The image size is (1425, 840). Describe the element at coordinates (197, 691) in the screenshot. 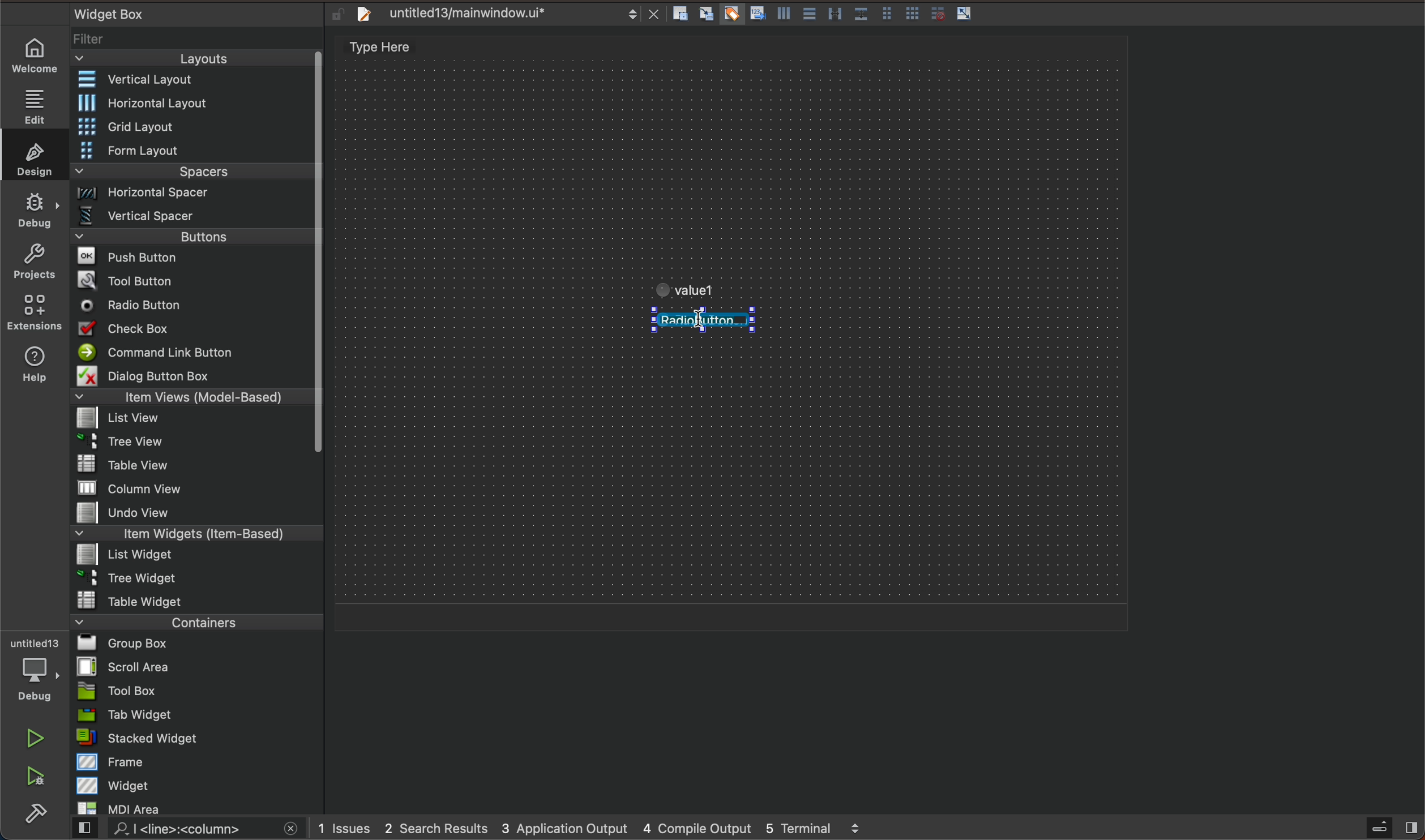

I see `tool box` at that location.